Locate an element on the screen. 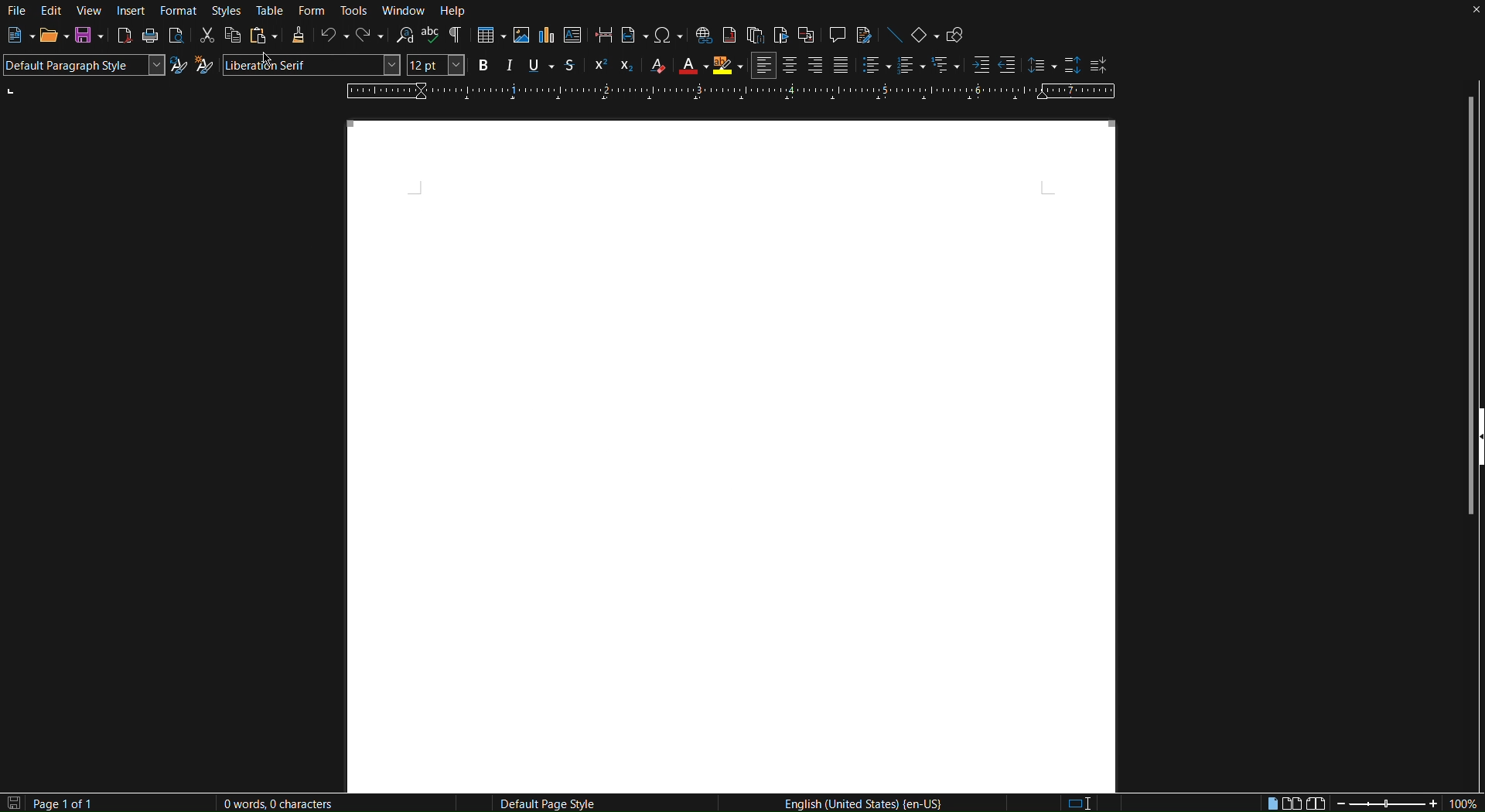 The height and width of the screenshot is (812, 1485). Insert Image is located at coordinates (521, 36).